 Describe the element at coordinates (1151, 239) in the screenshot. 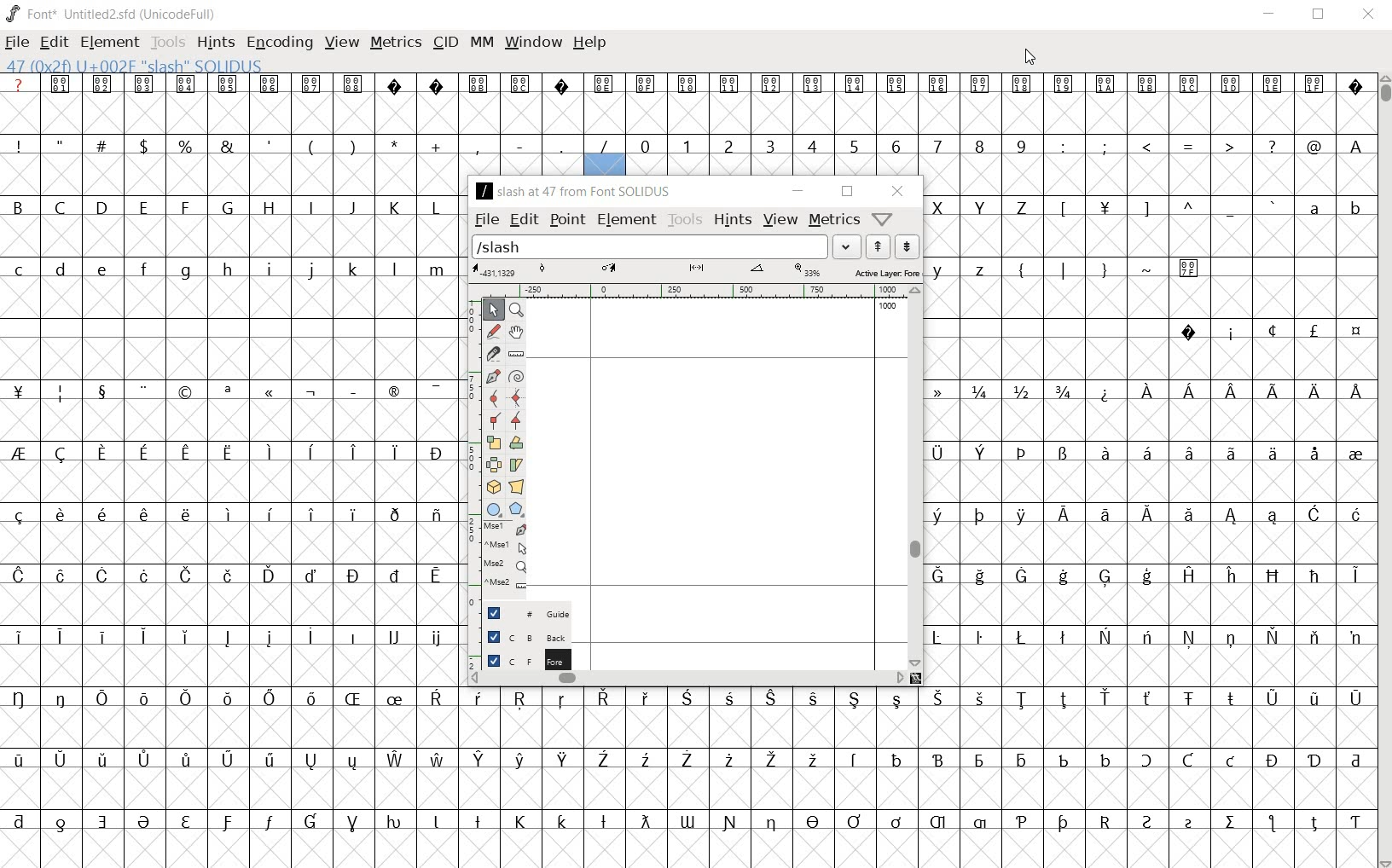

I see `empty cells` at that location.